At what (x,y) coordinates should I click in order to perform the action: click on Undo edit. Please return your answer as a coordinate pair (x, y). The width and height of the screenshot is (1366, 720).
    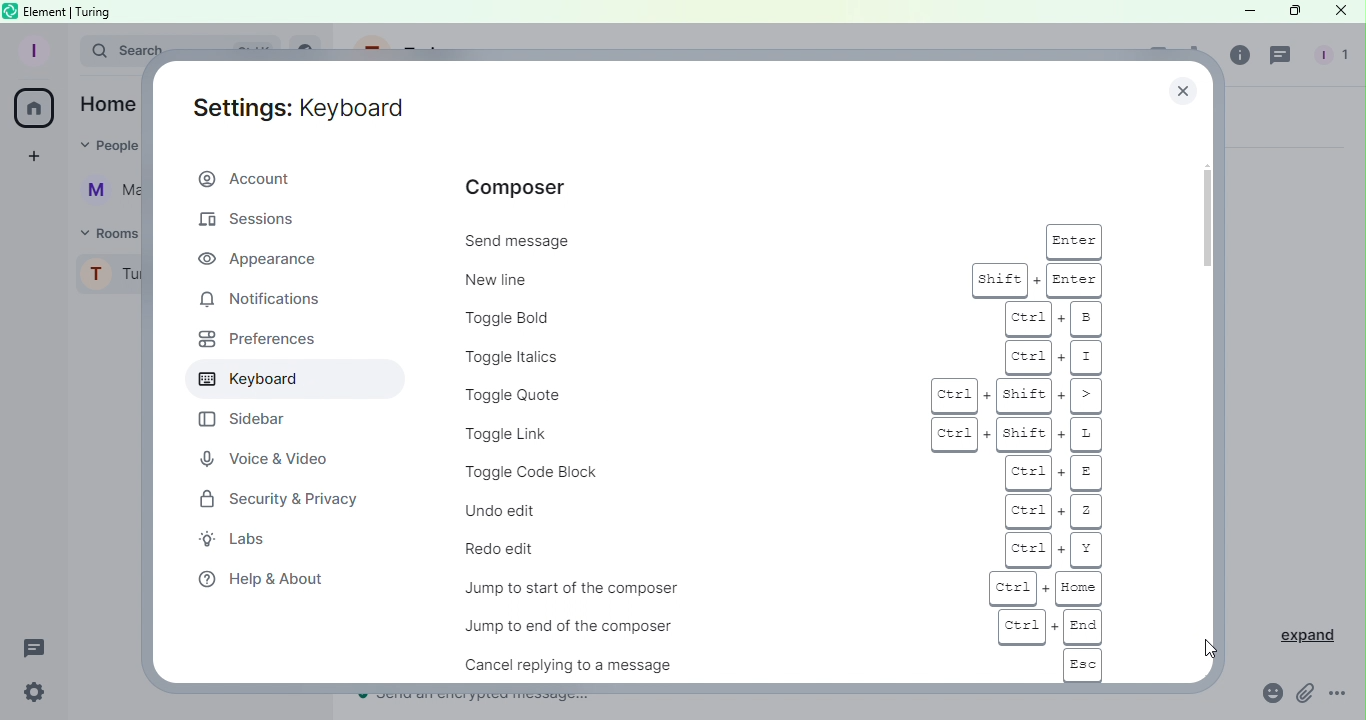
    Looking at the image, I should click on (643, 511).